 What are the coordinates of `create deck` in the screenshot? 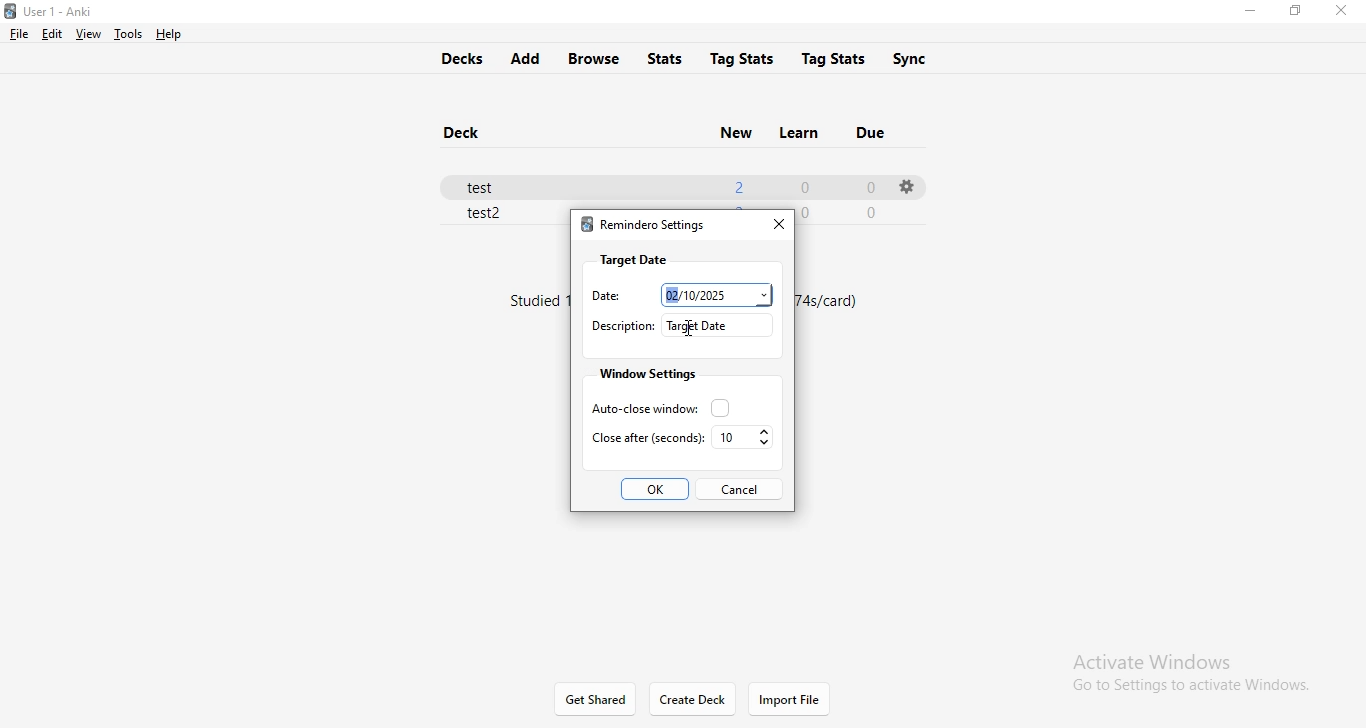 It's located at (694, 699).